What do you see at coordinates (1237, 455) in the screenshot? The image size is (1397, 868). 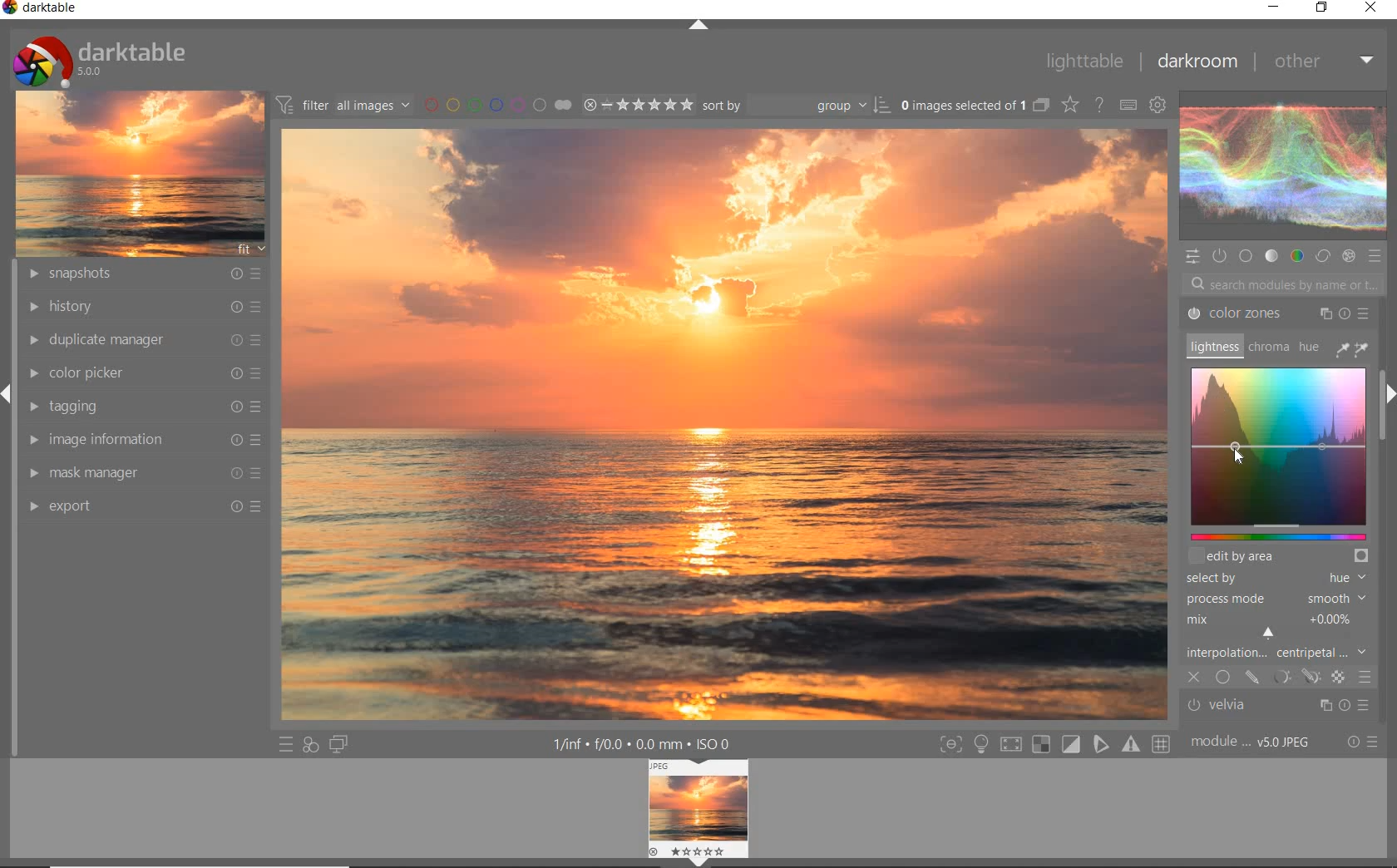 I see `CURSOR POSITION` at bounding box center [1237, 455].